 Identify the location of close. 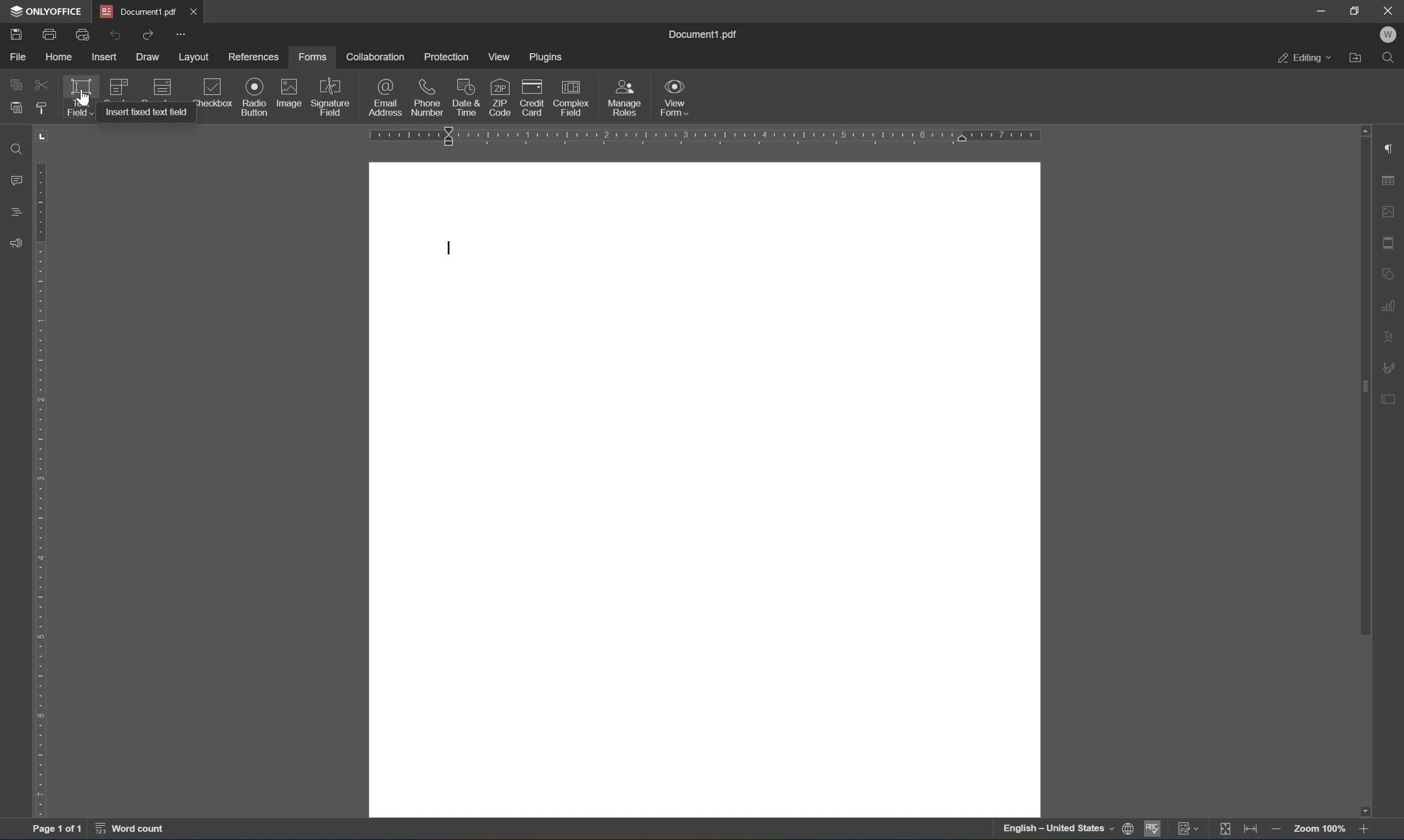
(1389, 10).